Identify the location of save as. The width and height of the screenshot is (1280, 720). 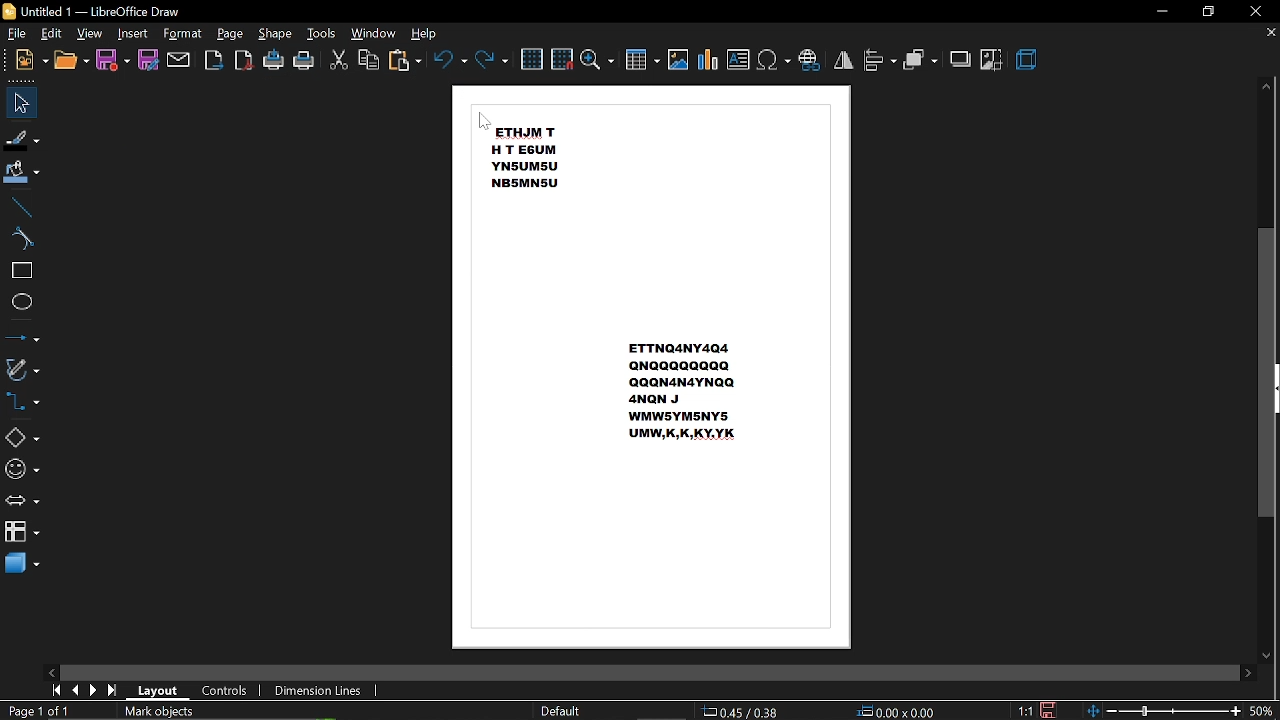
(148, 62).